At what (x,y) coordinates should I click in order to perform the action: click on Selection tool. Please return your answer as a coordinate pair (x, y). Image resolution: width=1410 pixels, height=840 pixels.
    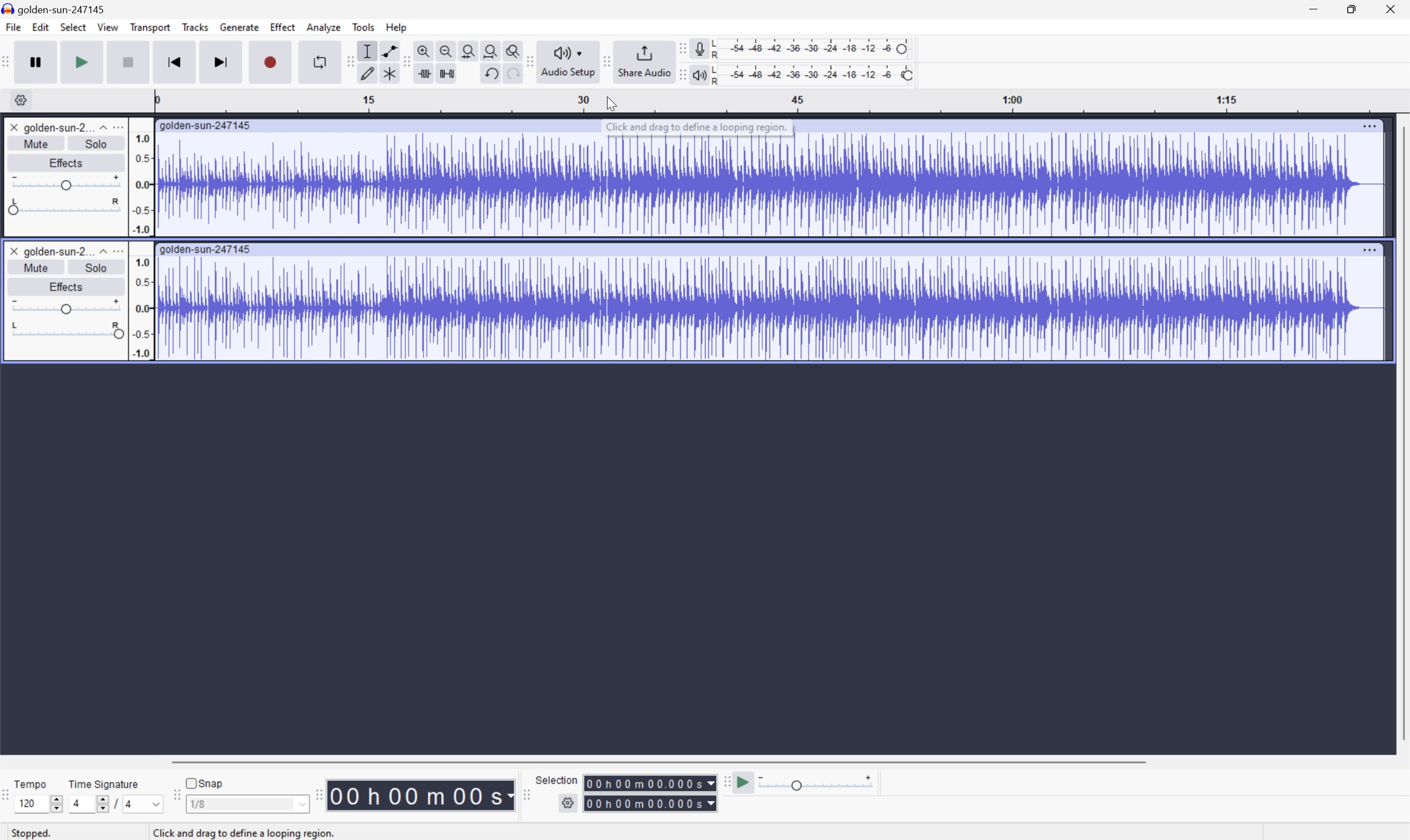
    Looking at the image, I should click on (369, 51).